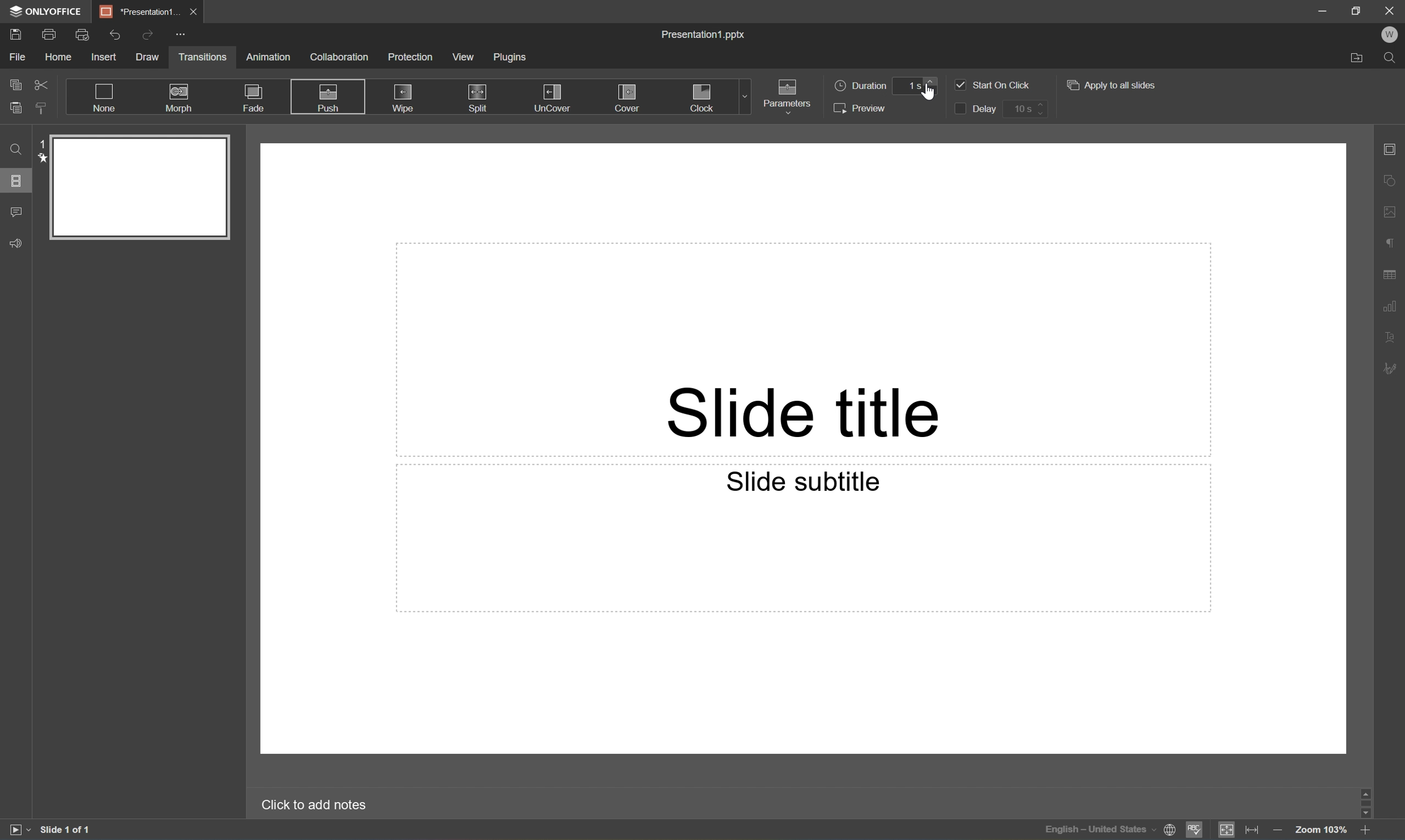  Describe the element at coordinates (134, 187) in the screenshot. I see `Slide 1` at that location.